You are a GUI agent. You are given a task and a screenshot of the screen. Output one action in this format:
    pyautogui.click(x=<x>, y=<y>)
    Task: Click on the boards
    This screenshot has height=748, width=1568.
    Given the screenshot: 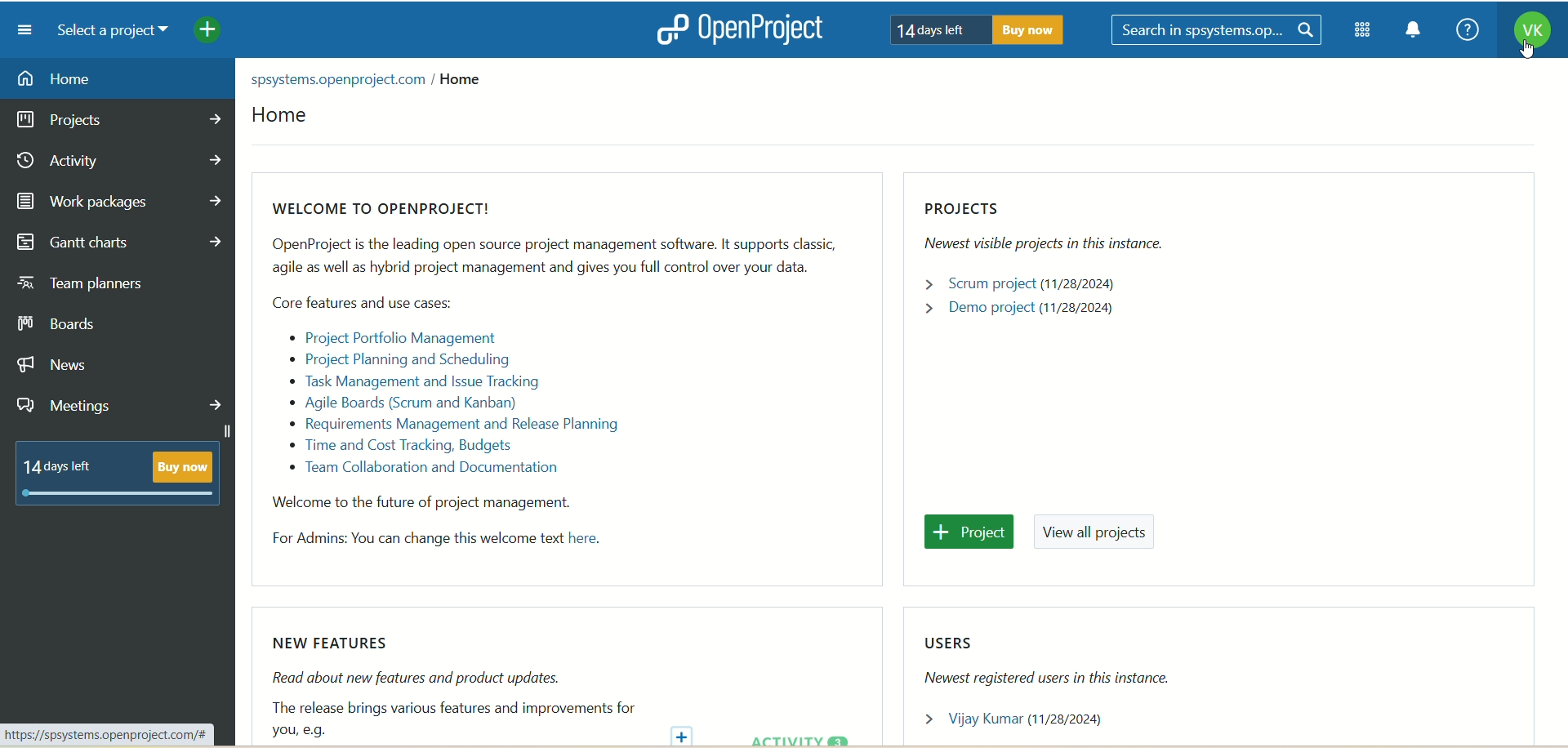 What is the action you would take?
    pyautogui.click(x=67, y=323)
    